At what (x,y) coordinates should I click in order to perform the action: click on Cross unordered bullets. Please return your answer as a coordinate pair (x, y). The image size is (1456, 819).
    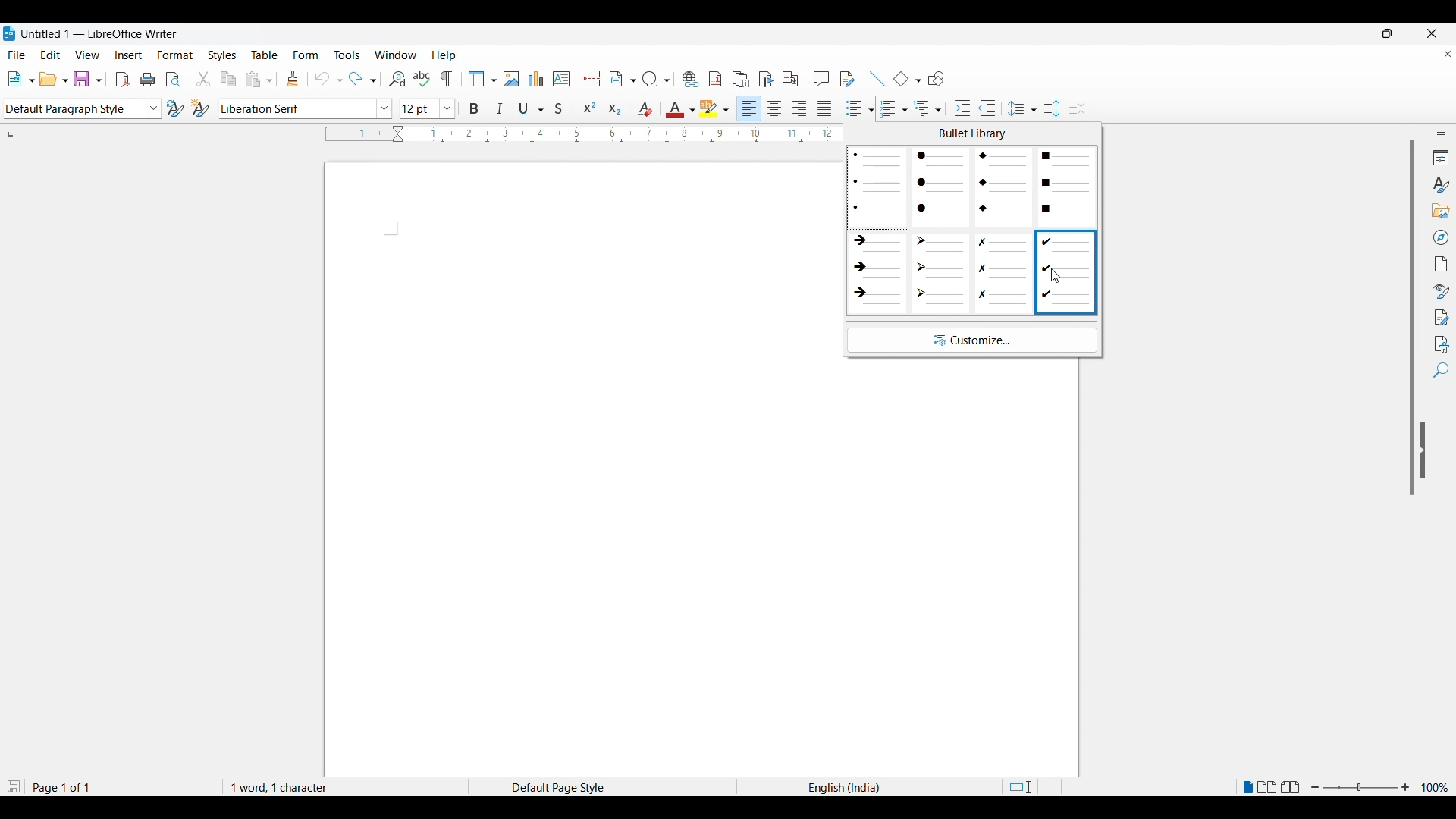
    Looking at the image, I should click on (1003, 271).